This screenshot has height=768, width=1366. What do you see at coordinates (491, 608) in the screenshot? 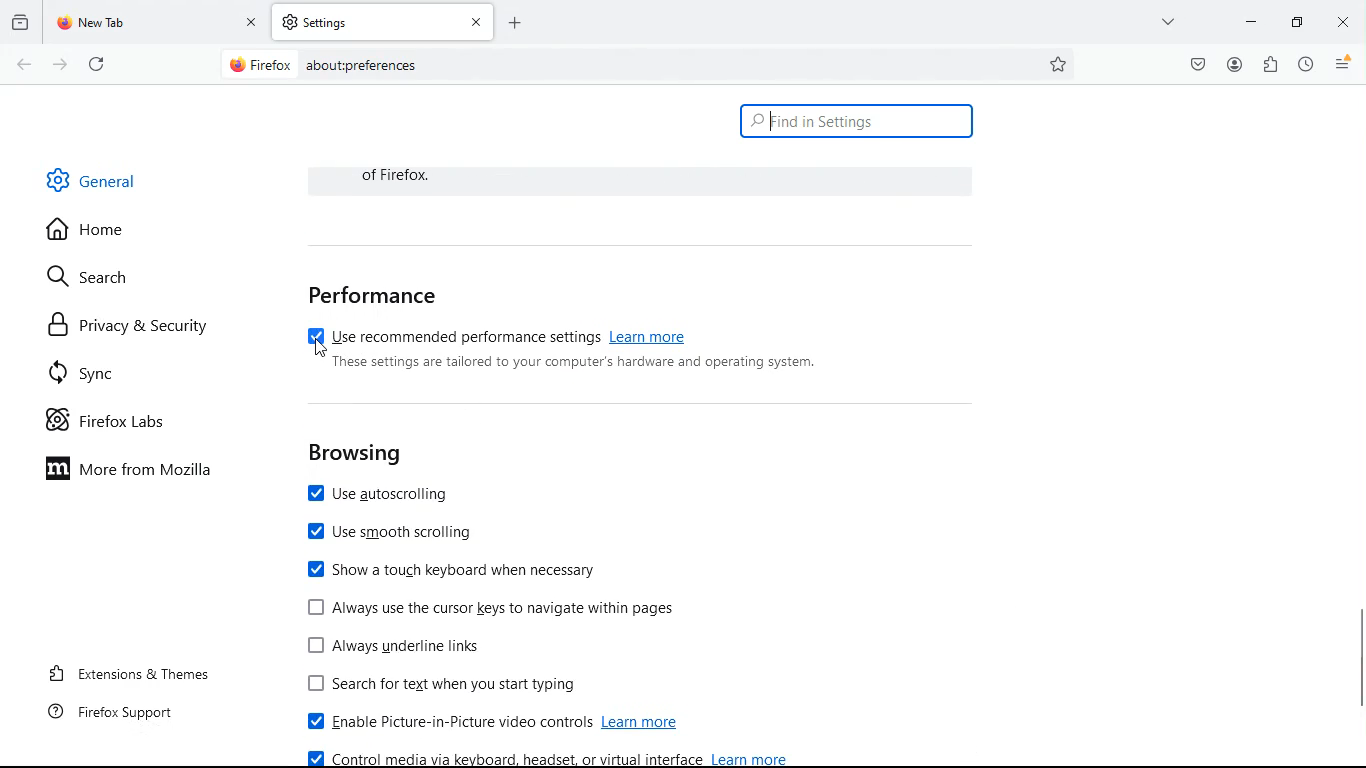
I see `[J Always use the cursor keys to navigate within pages` at bounding box center [491, 608].